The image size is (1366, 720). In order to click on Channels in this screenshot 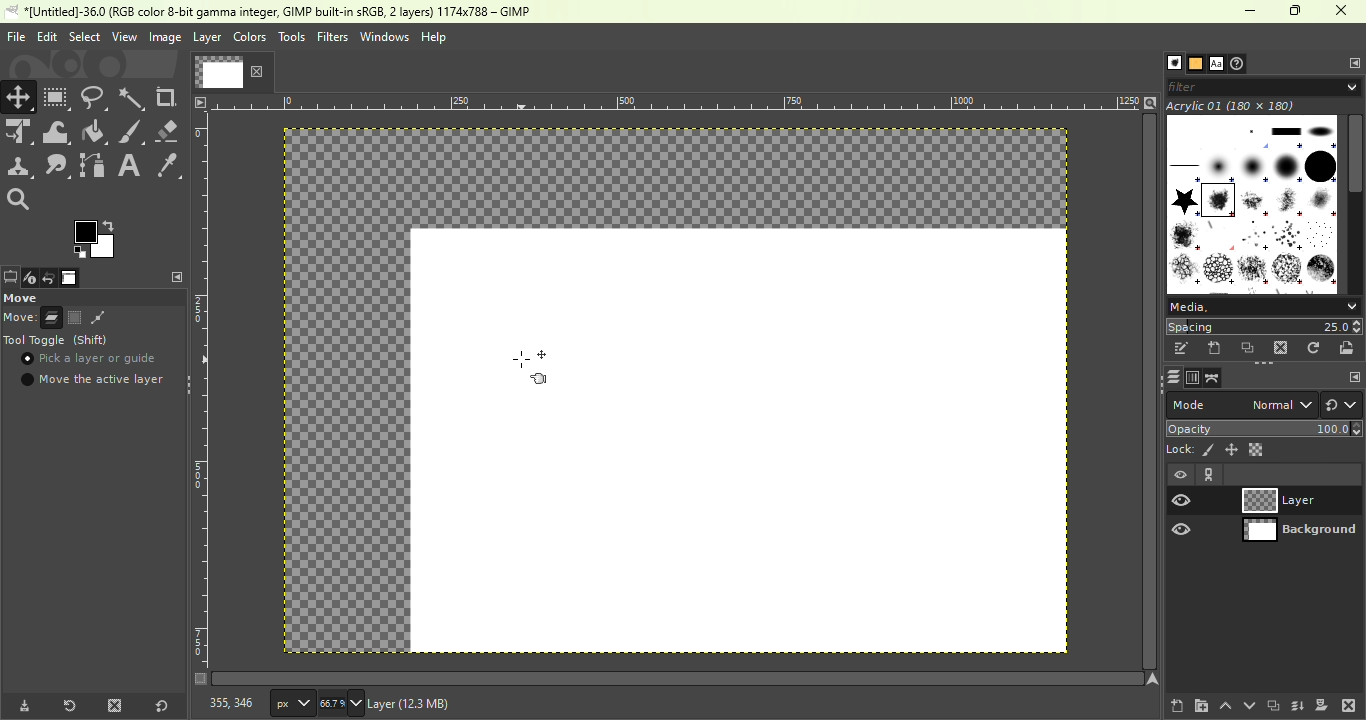, I will do `click(1191, 378)`.